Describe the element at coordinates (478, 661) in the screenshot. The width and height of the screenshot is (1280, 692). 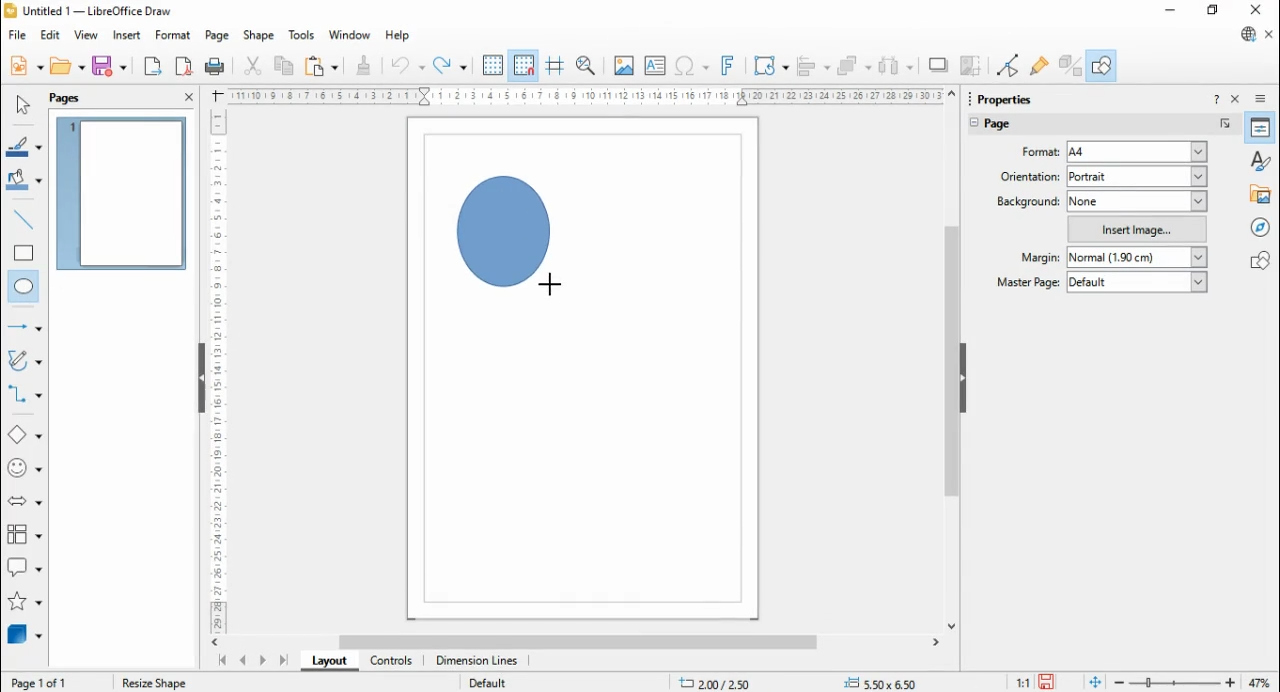
I see `dimension lines` at that location.